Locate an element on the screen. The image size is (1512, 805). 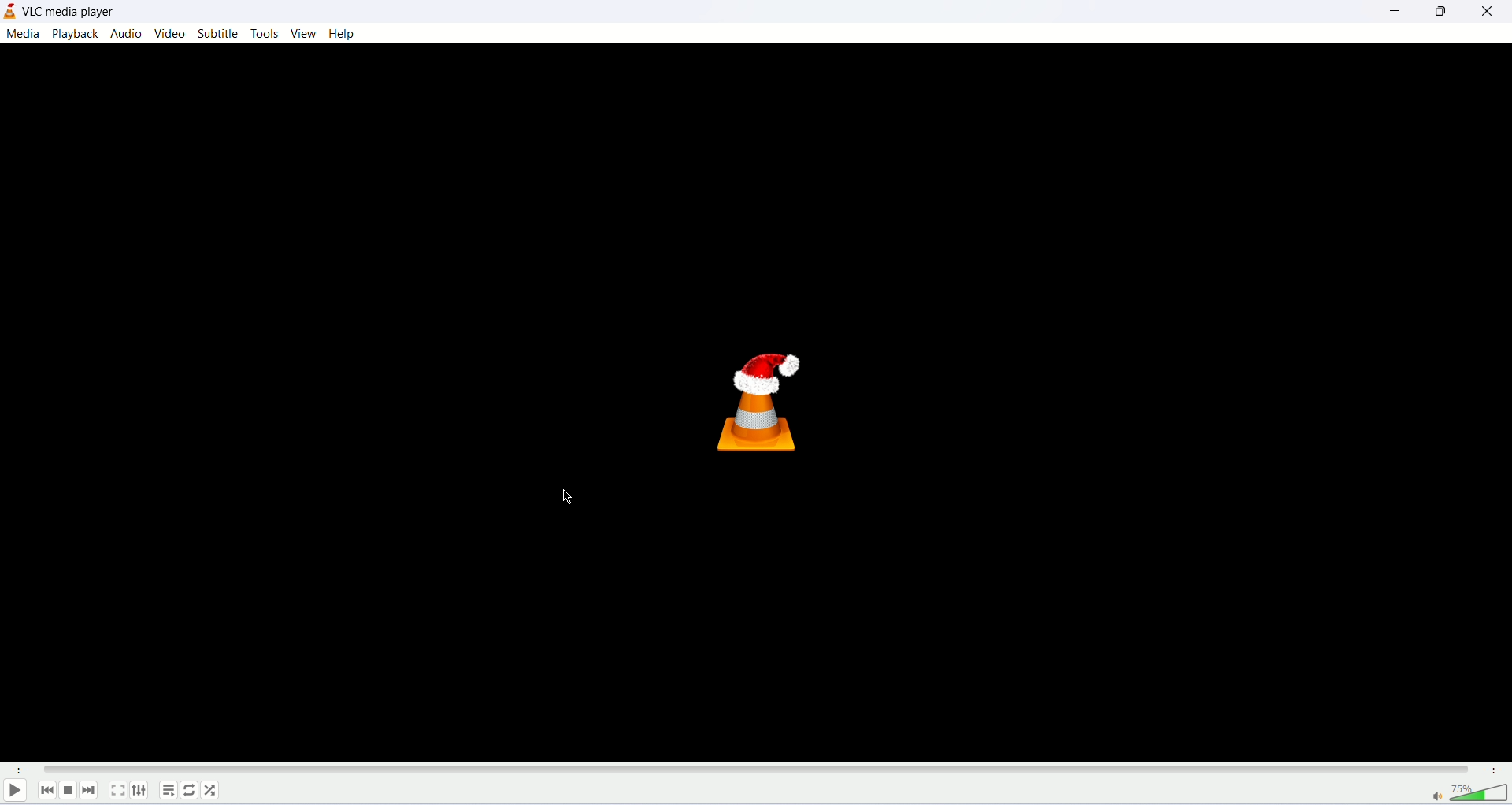
playlist is located at coordinates (168, 790).